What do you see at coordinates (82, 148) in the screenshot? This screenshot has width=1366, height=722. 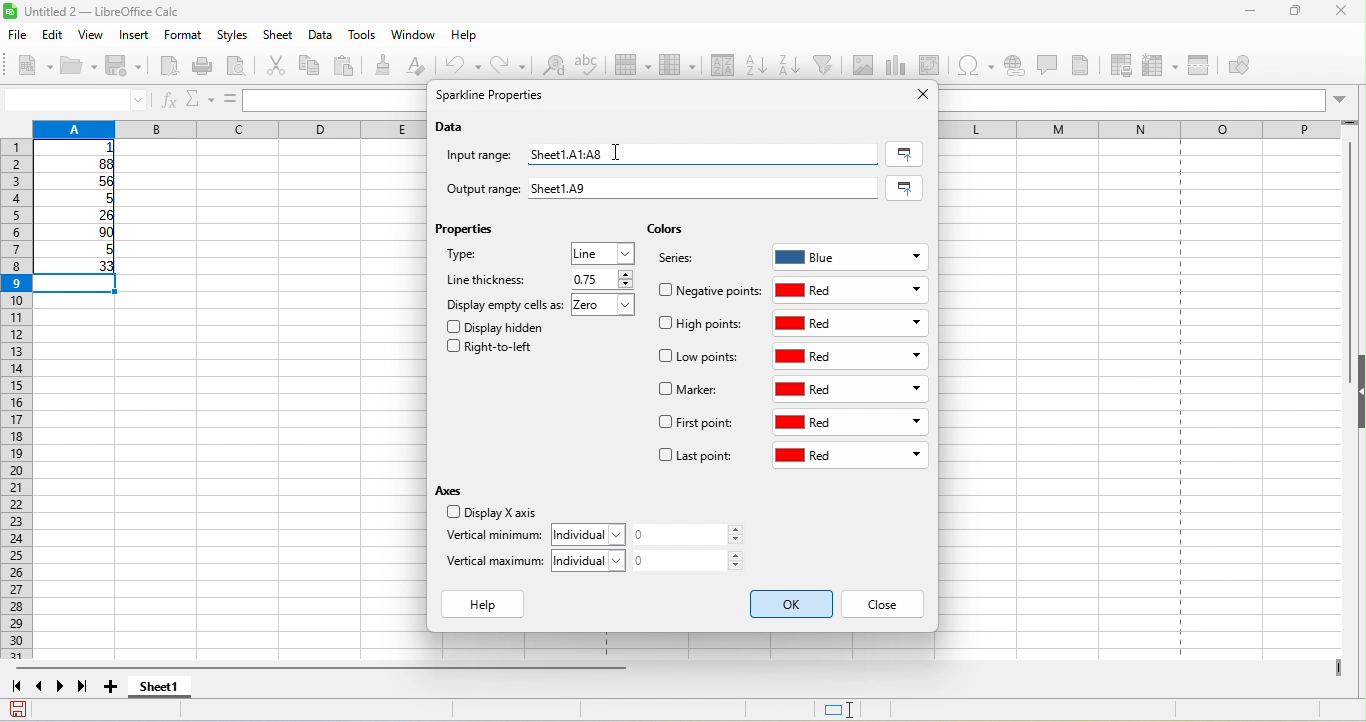 I see `1` at bounding box center [82, 148].